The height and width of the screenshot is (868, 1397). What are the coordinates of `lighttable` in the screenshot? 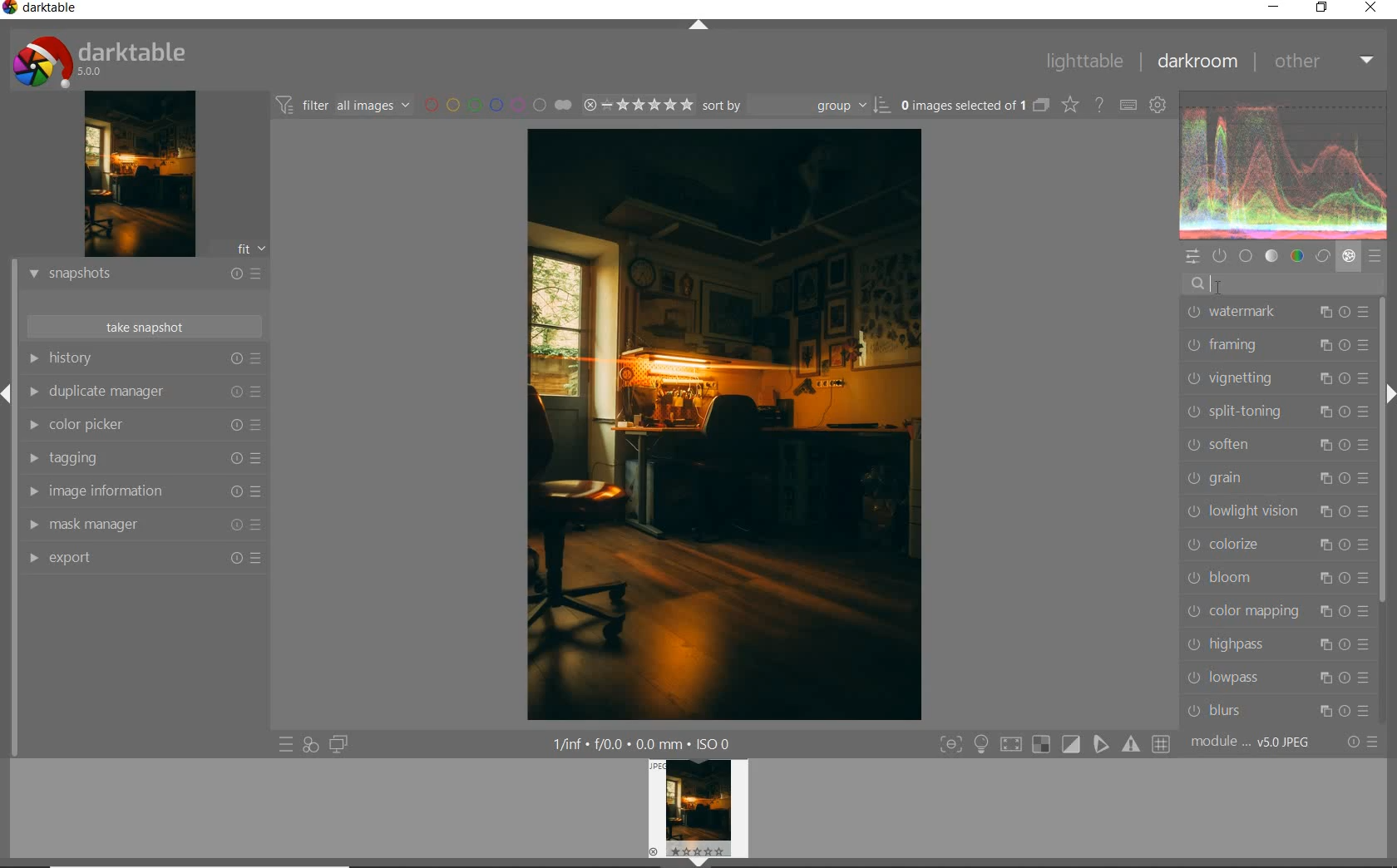 It's located at (1085, 63).